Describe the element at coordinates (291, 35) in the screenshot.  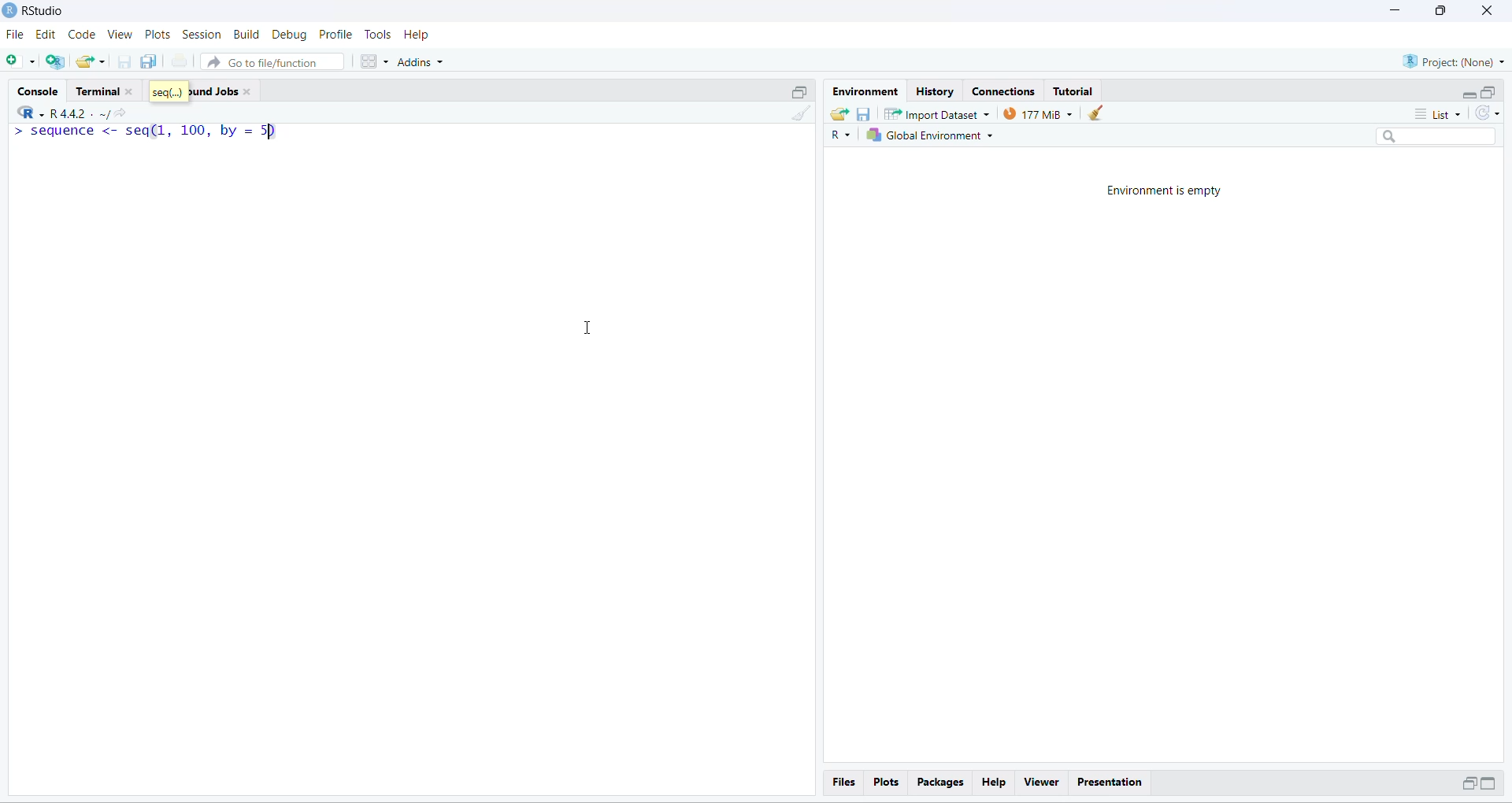
I see `debug` at that location.